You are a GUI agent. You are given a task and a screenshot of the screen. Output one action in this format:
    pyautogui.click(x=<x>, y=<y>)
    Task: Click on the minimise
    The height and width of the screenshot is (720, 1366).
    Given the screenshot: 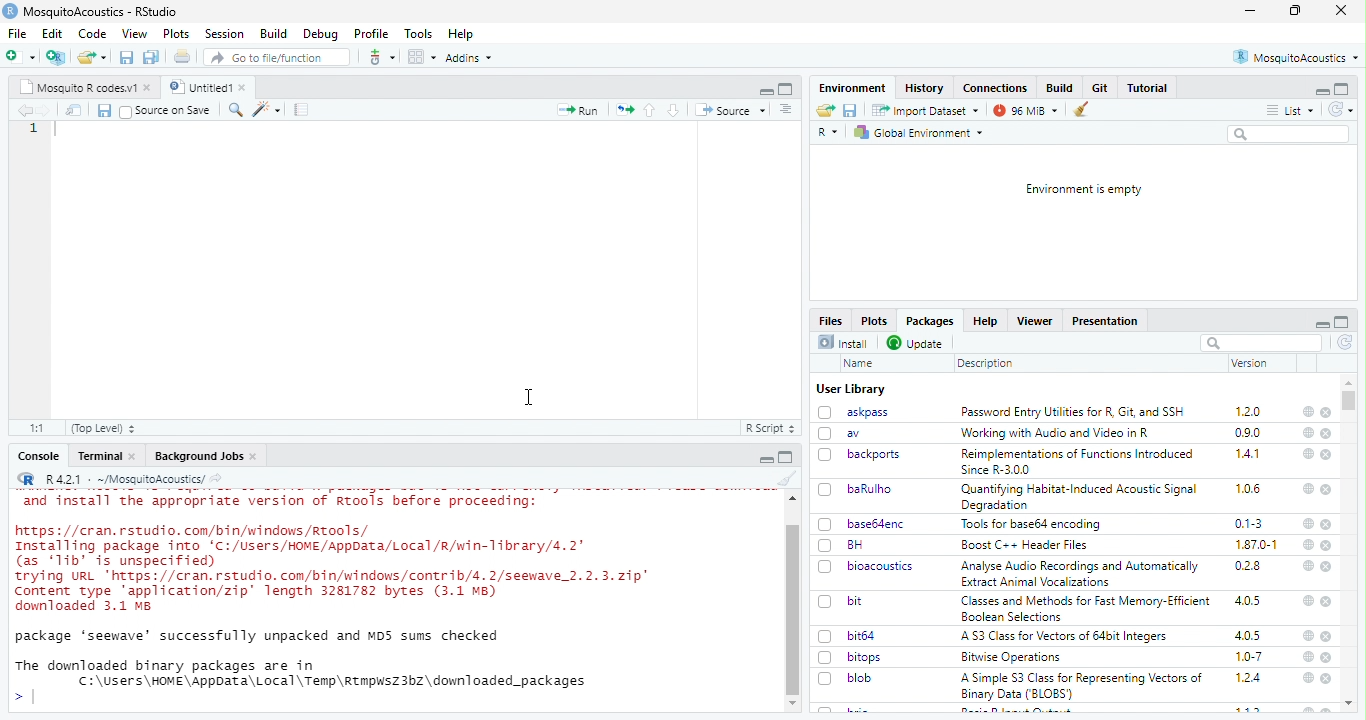 What is the action you would take?
    pyautogui.click(x=768, y=92)
    